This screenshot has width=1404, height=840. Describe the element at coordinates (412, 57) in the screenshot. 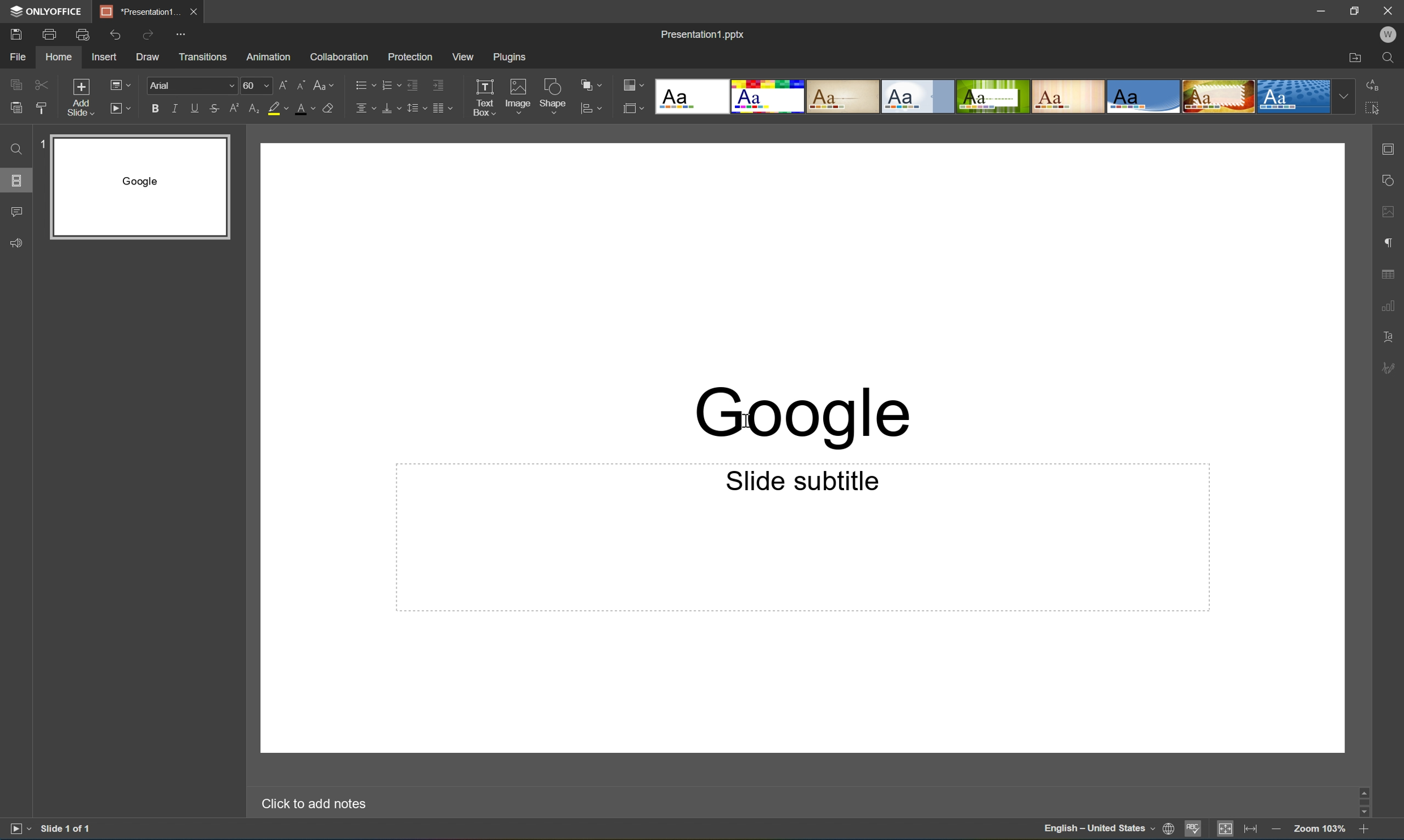

I see `Protection` at that location.